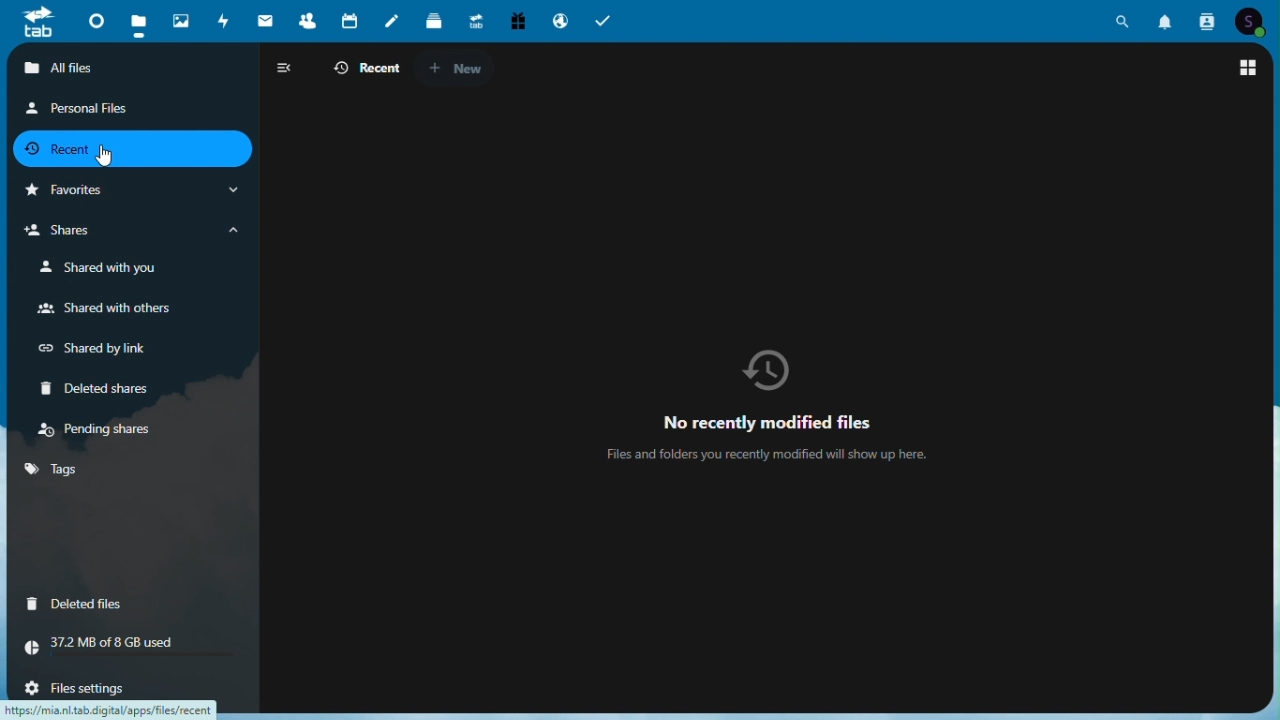 This screenshot has width=1280, height=720. Describe the element at coordinates (137, 69) in the screenshot. I see `All files` at that location.